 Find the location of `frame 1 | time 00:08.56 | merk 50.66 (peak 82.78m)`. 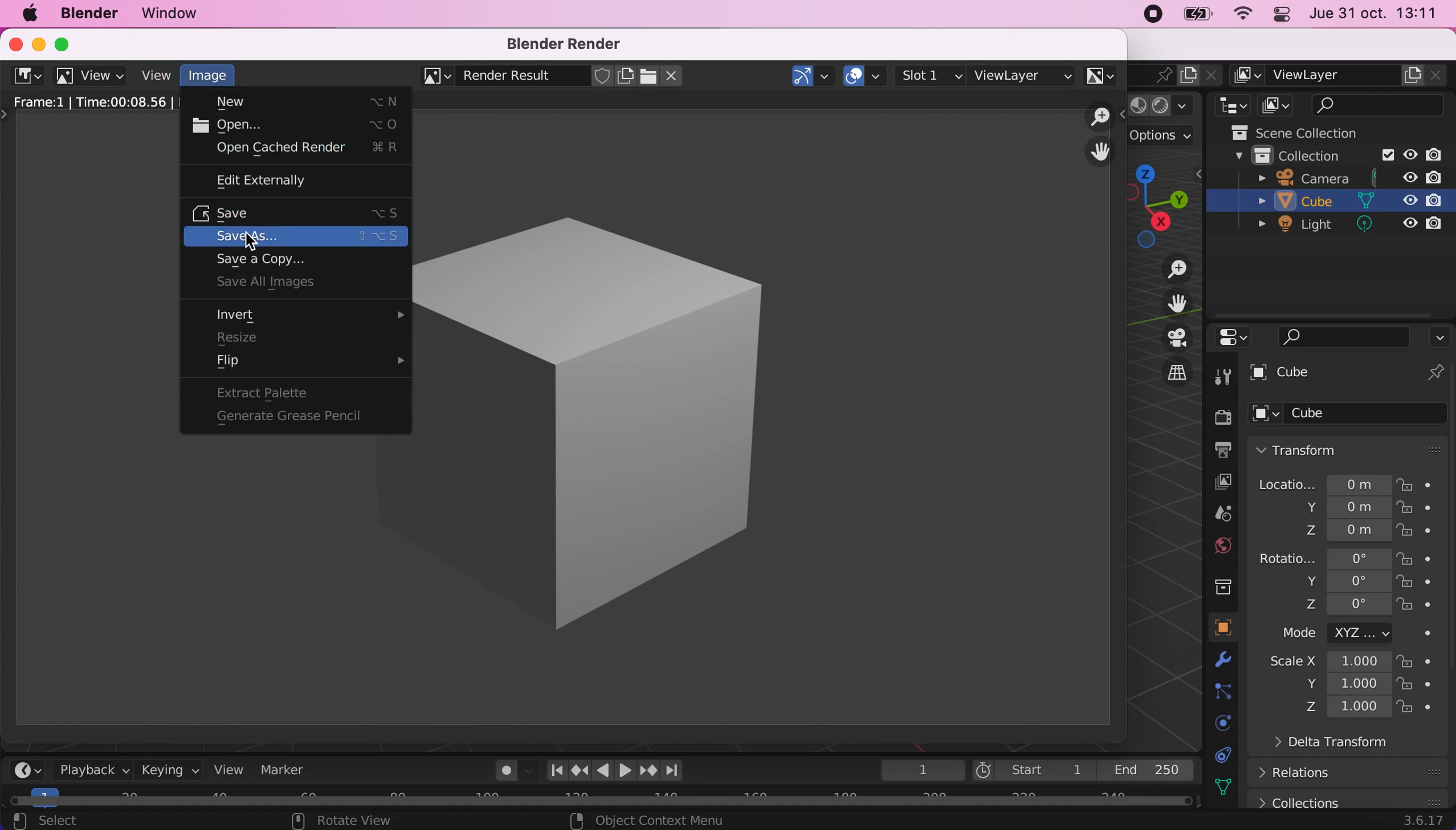

frame 1 | time 00:08.56 | merk 50.66 (peak 82.78m) is located at coordinates (93, 101).